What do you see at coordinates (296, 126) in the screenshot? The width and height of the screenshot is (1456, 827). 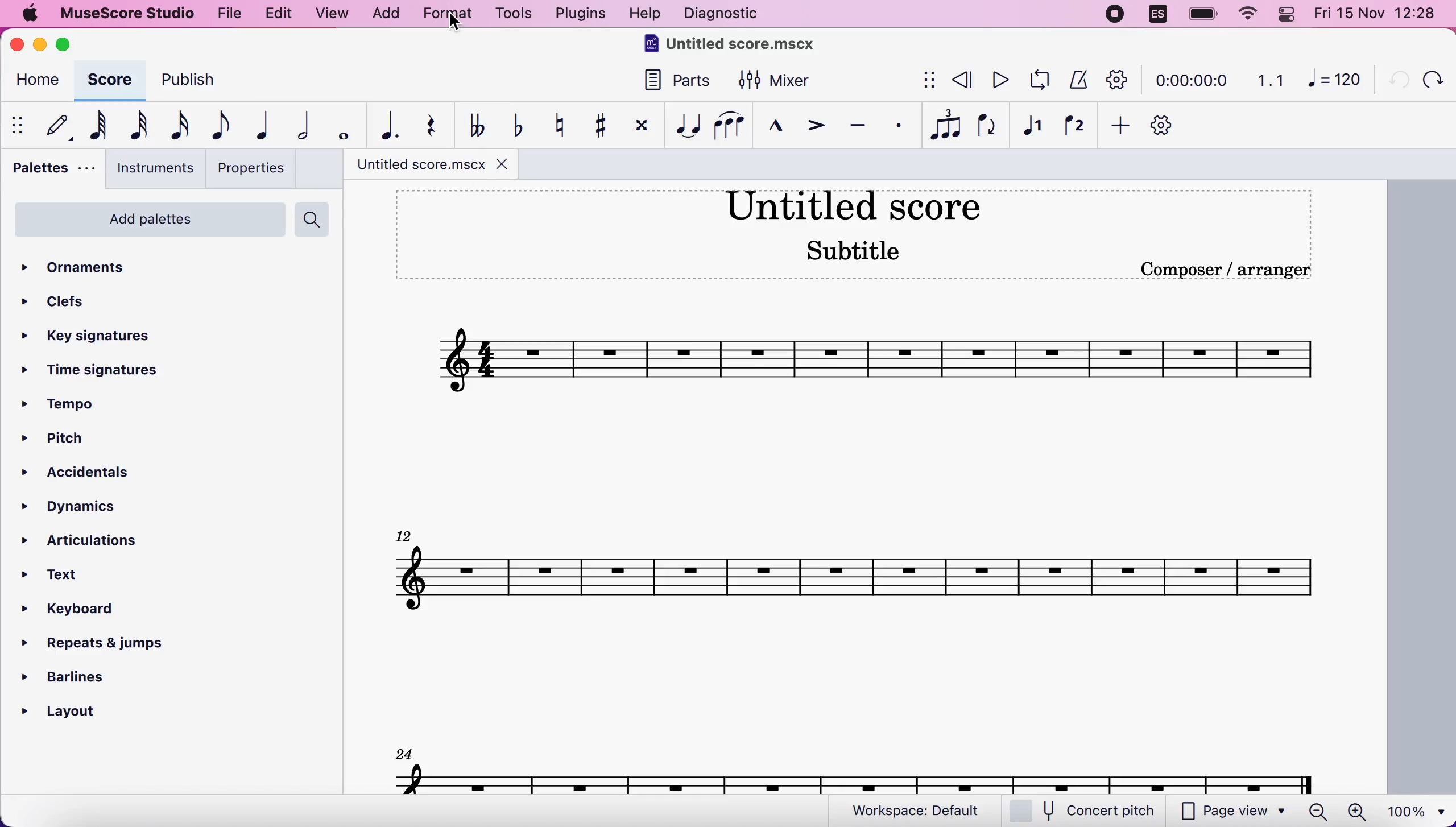 I see `half note` at bounding box center [296, 126].